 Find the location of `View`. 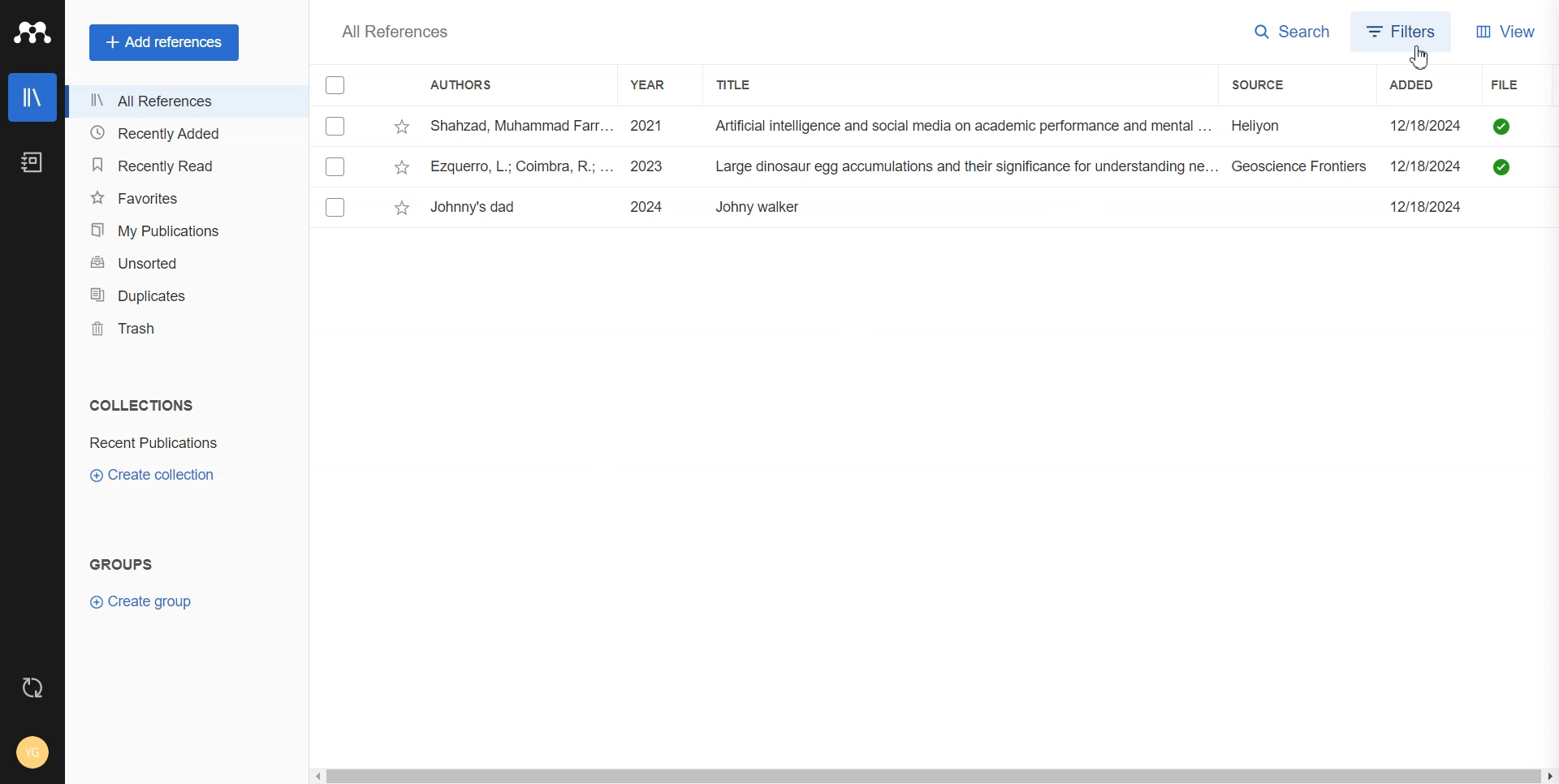

View is located at coordinates (1505, 30).